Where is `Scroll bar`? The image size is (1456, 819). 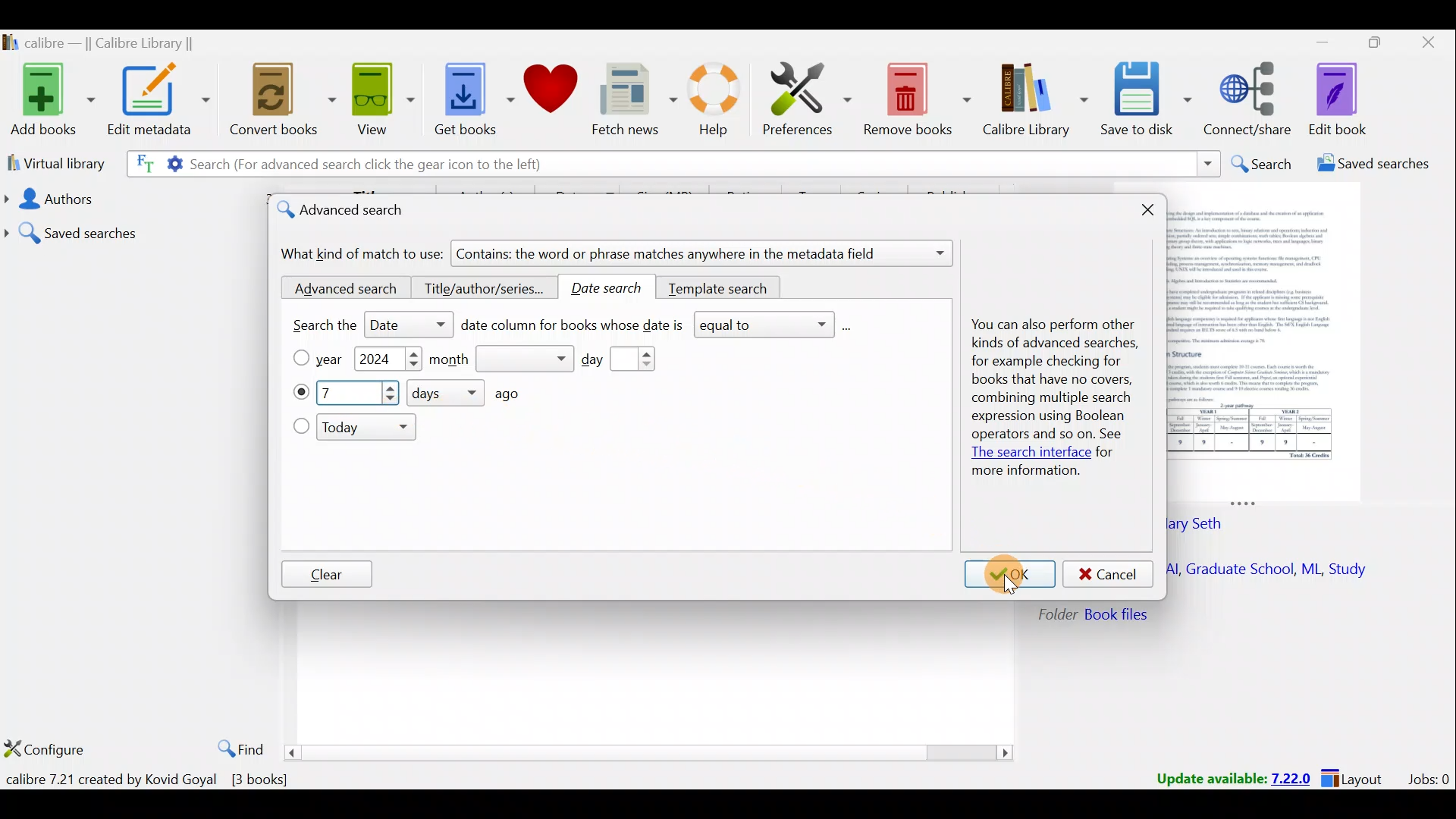
Scroll bar is located at coordinates (651, 752).